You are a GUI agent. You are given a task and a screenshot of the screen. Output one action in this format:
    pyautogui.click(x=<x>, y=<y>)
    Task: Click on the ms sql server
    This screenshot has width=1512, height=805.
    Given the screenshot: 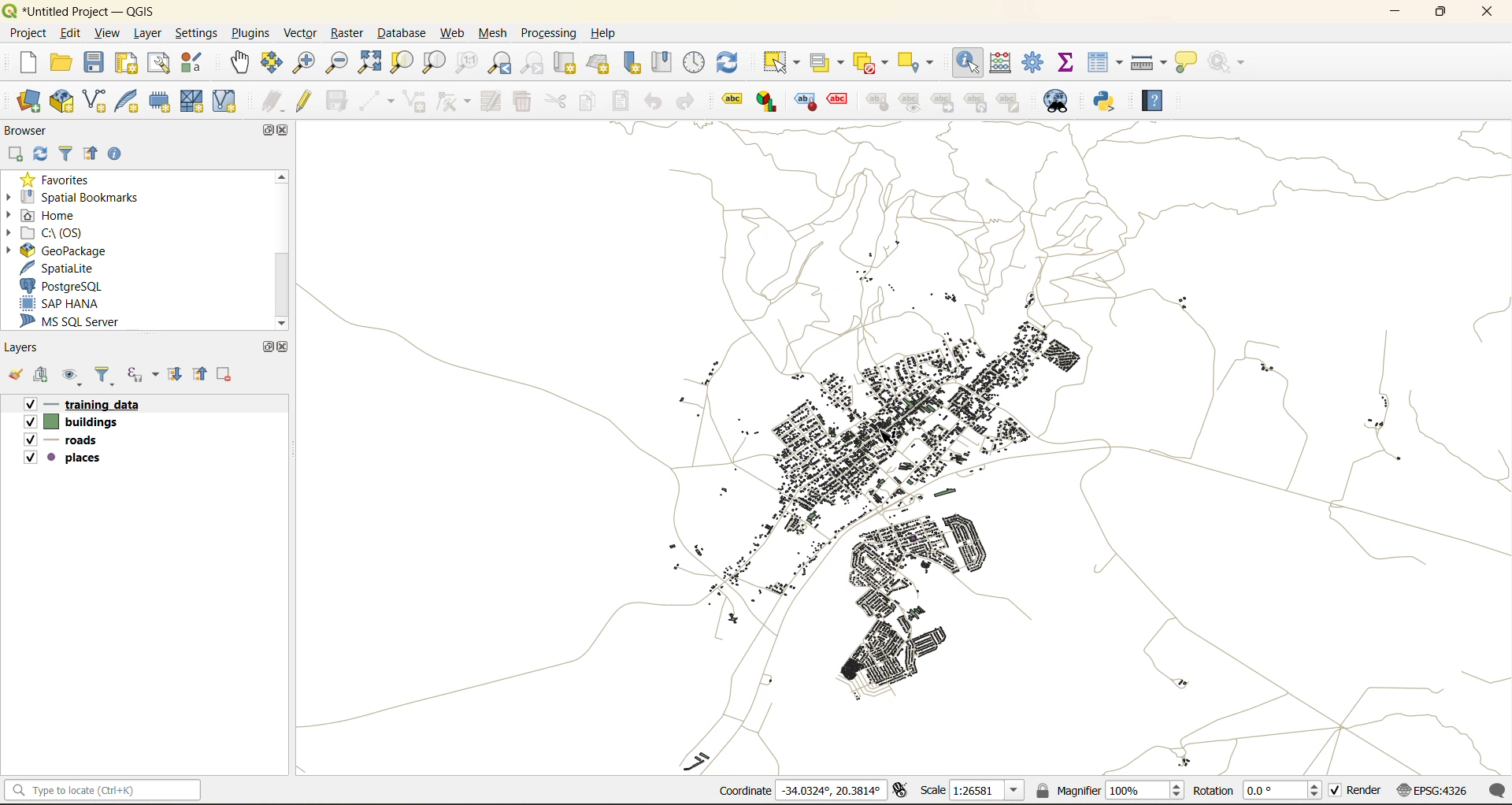 What is the action you would take?
    pyautogui.click(x=80, y=324)
    